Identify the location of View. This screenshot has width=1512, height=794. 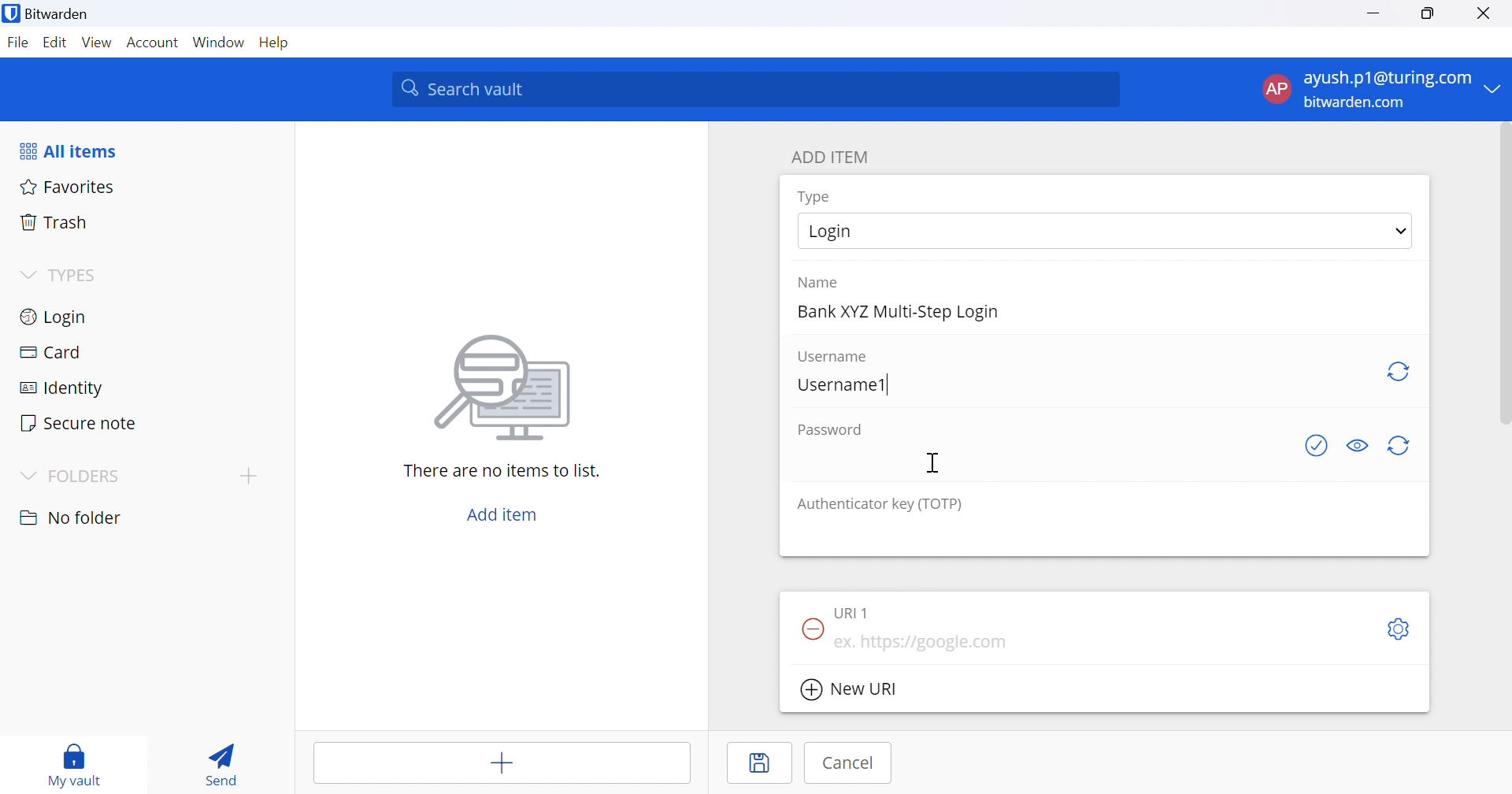
(96, 42).